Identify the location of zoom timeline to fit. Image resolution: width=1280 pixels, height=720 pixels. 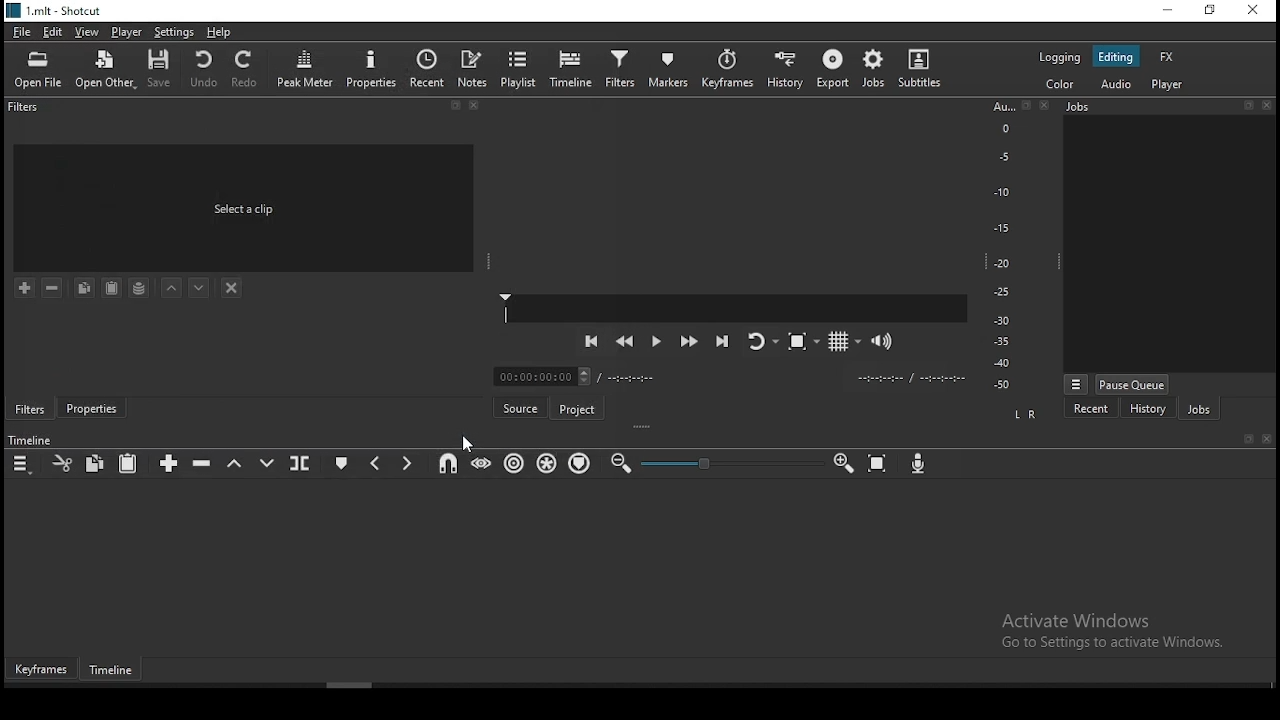
(879, 463).